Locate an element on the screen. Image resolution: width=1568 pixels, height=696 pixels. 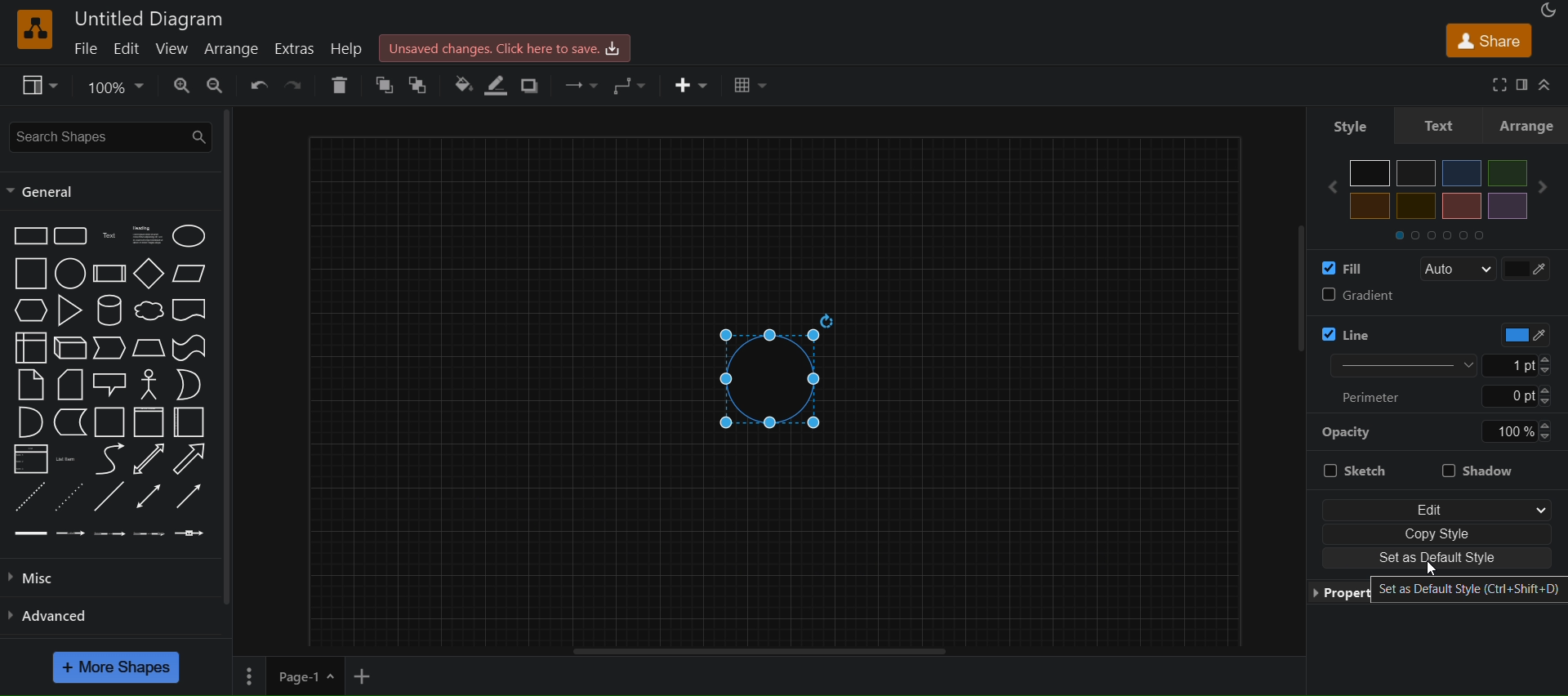
connector 4 is located at coordinates (149, 534).